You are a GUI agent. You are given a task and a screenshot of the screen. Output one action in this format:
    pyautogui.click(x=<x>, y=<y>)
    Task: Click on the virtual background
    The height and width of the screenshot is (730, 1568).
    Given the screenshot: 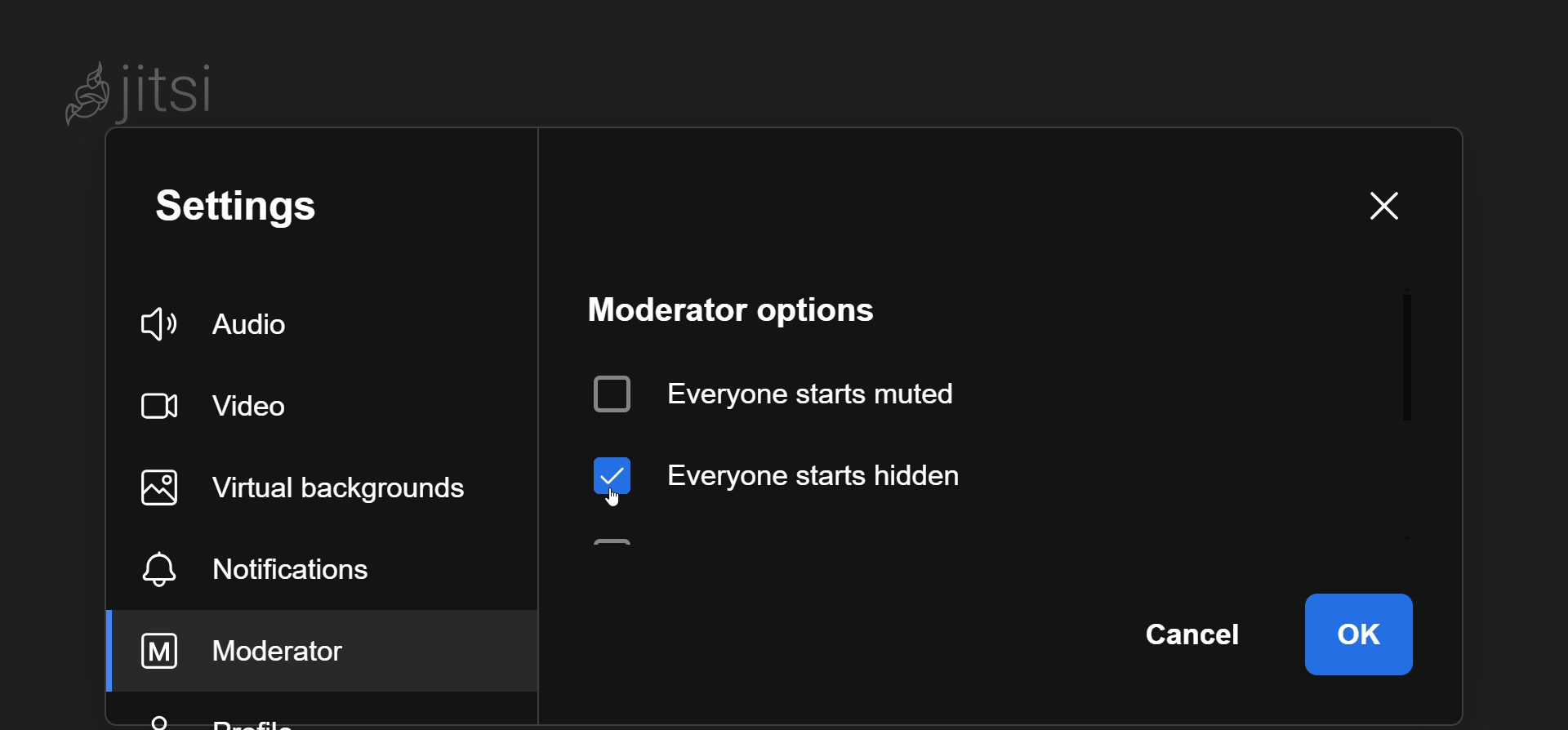 What is the action you would take?
    pyautogui.click(x=317, y=488)
    